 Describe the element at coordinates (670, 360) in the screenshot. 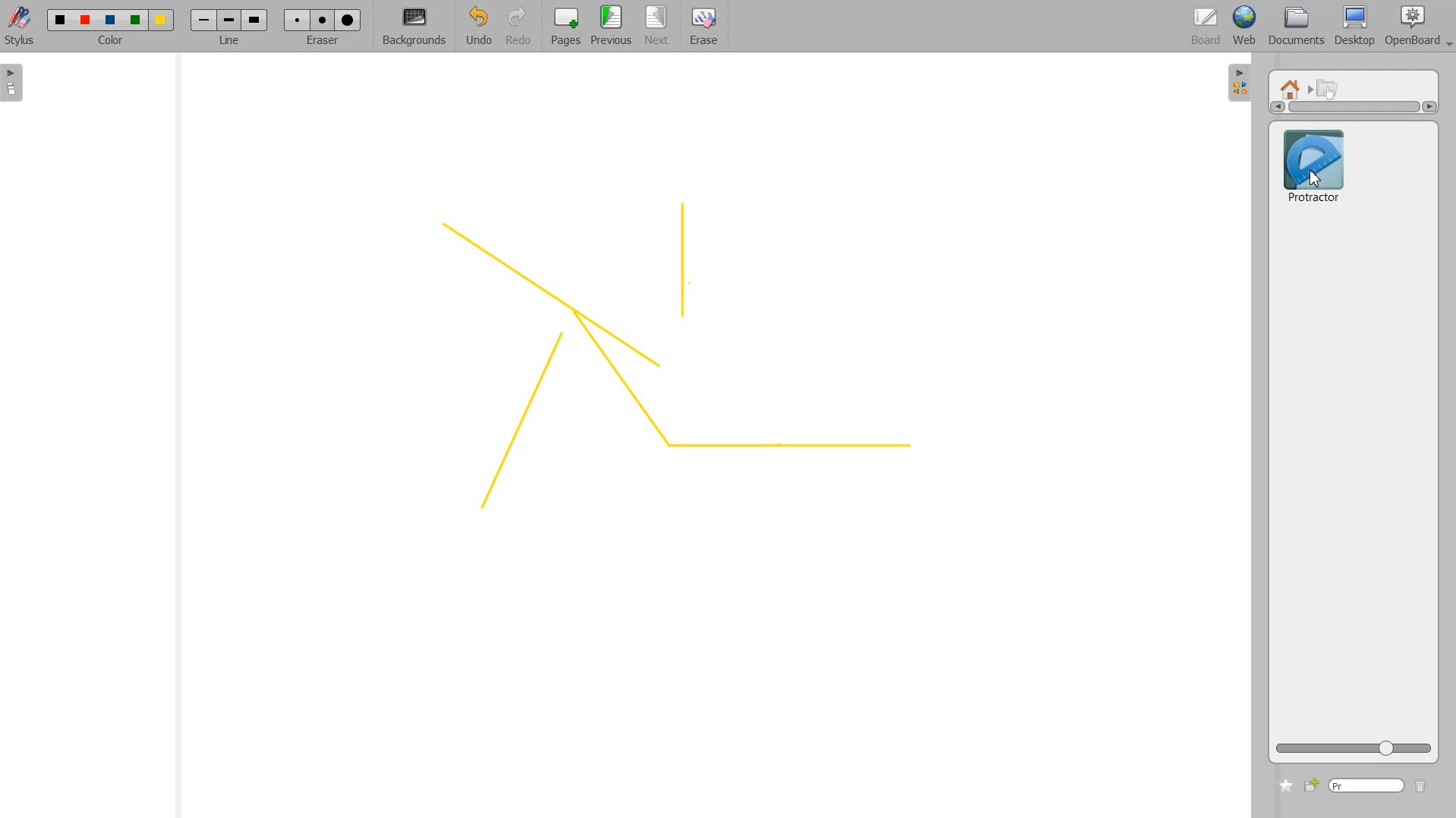

I see `Lines` at that location.